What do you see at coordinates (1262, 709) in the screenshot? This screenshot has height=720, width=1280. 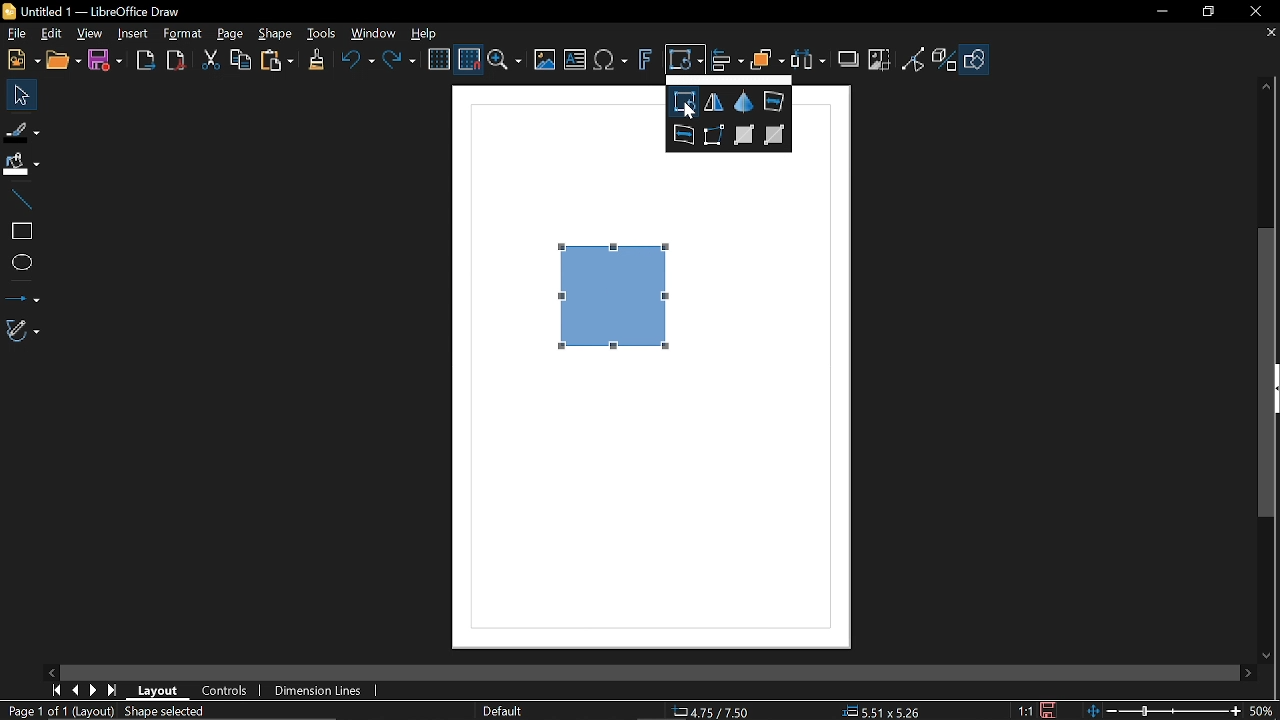 I see `50% (Current zoom)` at bounding box center [1262, 709].